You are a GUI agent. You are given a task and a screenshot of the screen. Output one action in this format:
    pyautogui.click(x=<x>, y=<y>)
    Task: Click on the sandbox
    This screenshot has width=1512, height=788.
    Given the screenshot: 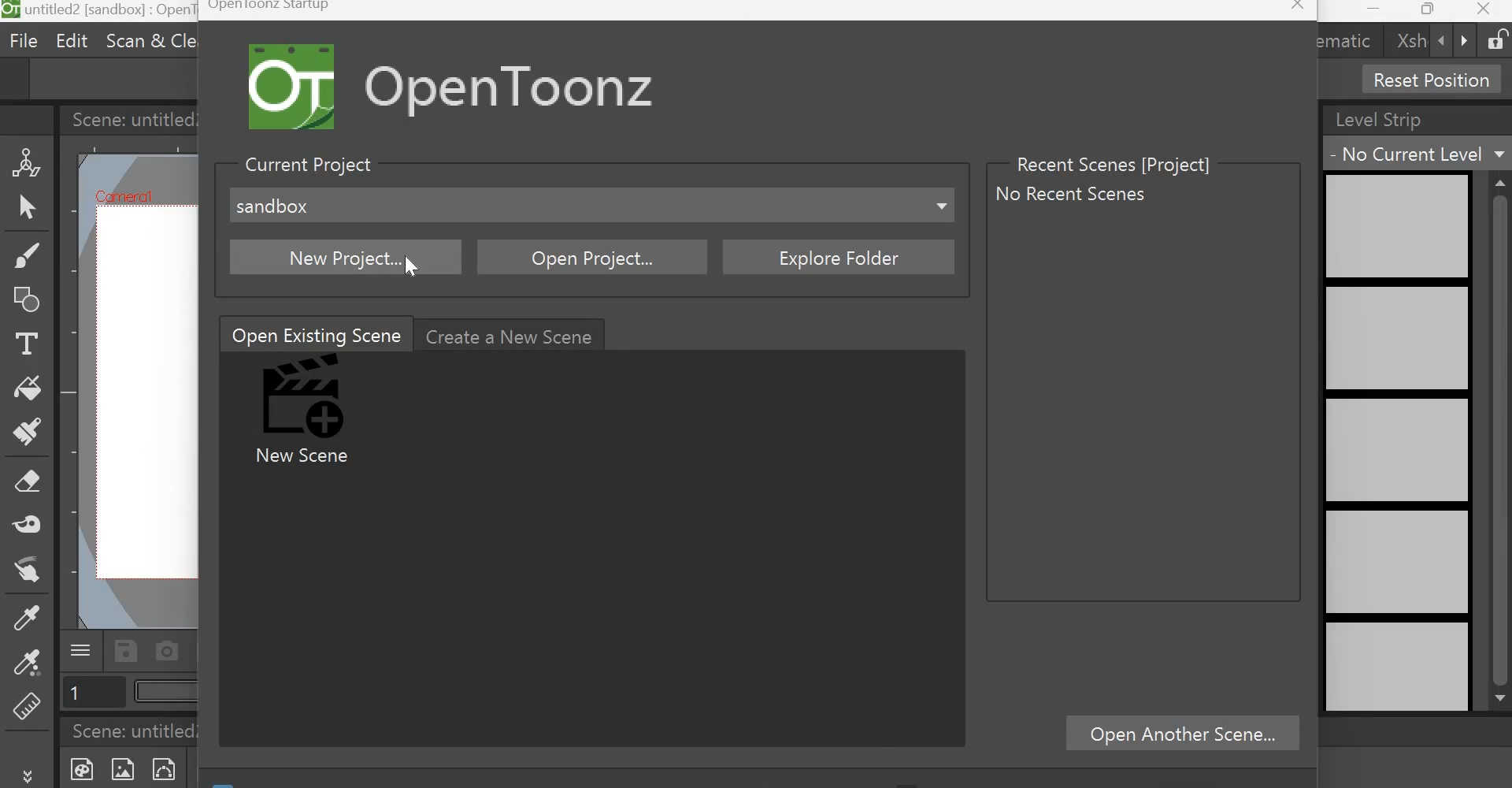 What is the action you would take?
    pyautogui.click(x=272, y=206)
    